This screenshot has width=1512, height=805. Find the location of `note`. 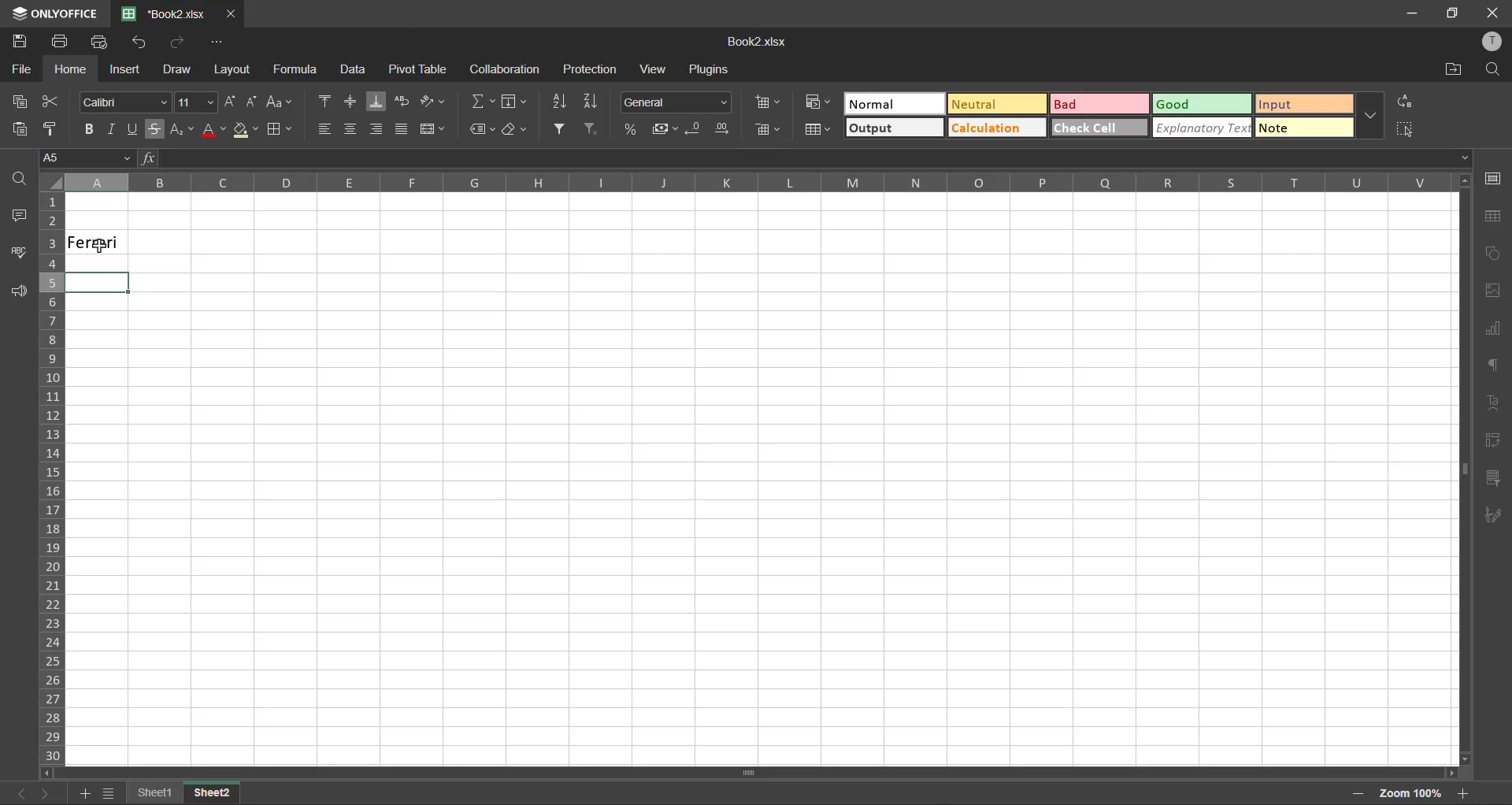

note is located at coordinates (1308, 128).